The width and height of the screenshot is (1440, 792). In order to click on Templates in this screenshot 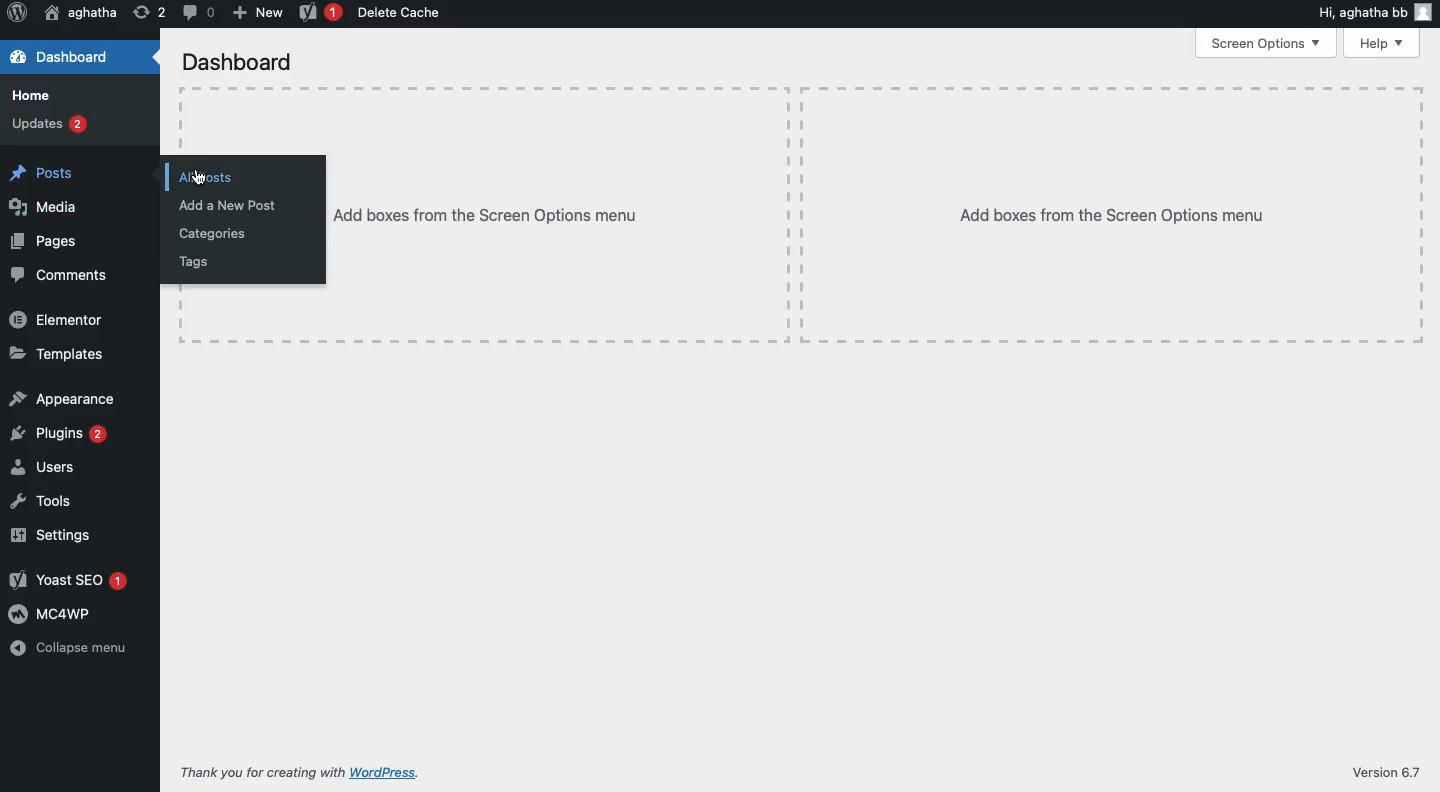, I will do `click(58, 355)`.